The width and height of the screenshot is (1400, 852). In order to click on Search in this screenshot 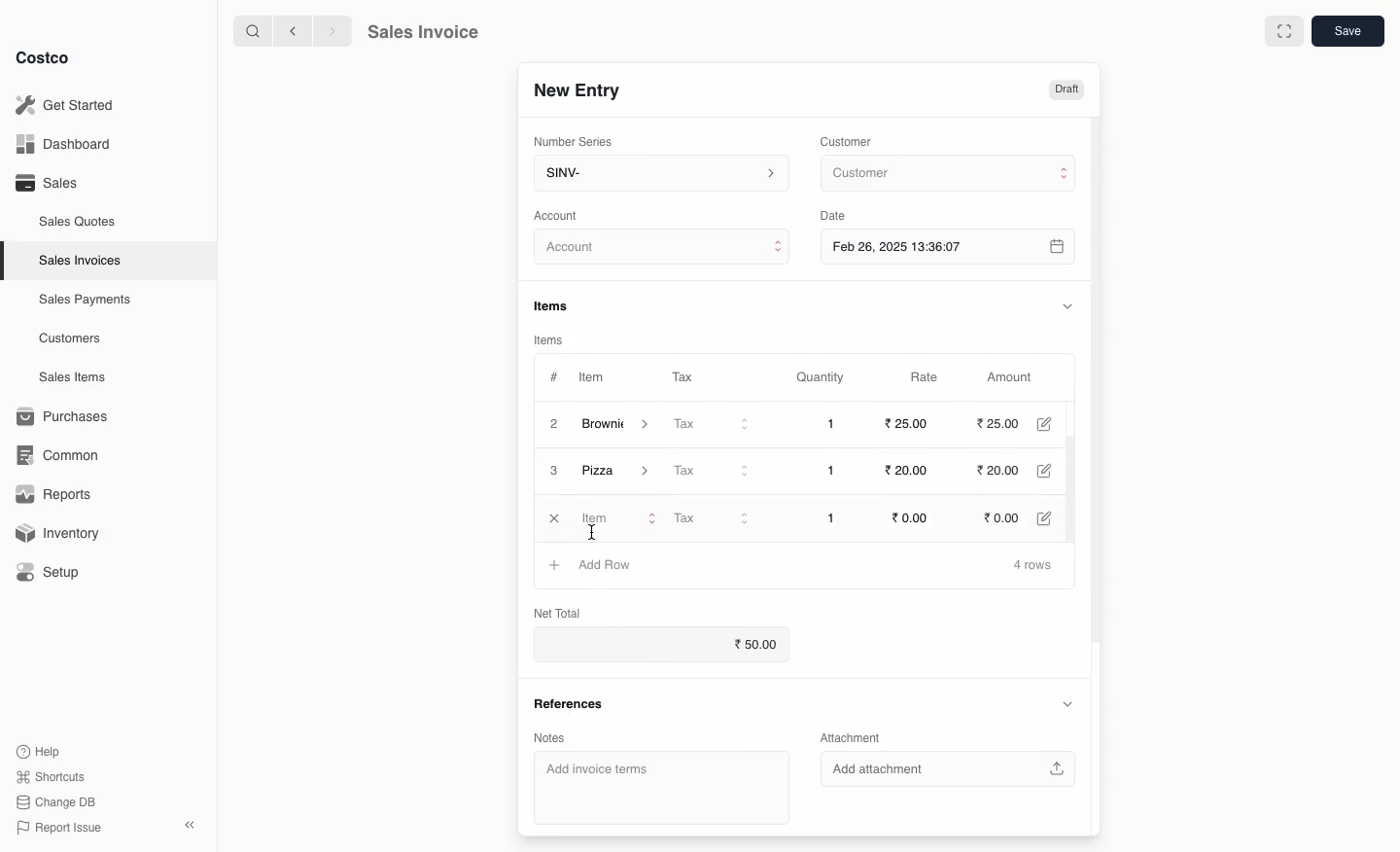, I will do `click(250, 30)`.